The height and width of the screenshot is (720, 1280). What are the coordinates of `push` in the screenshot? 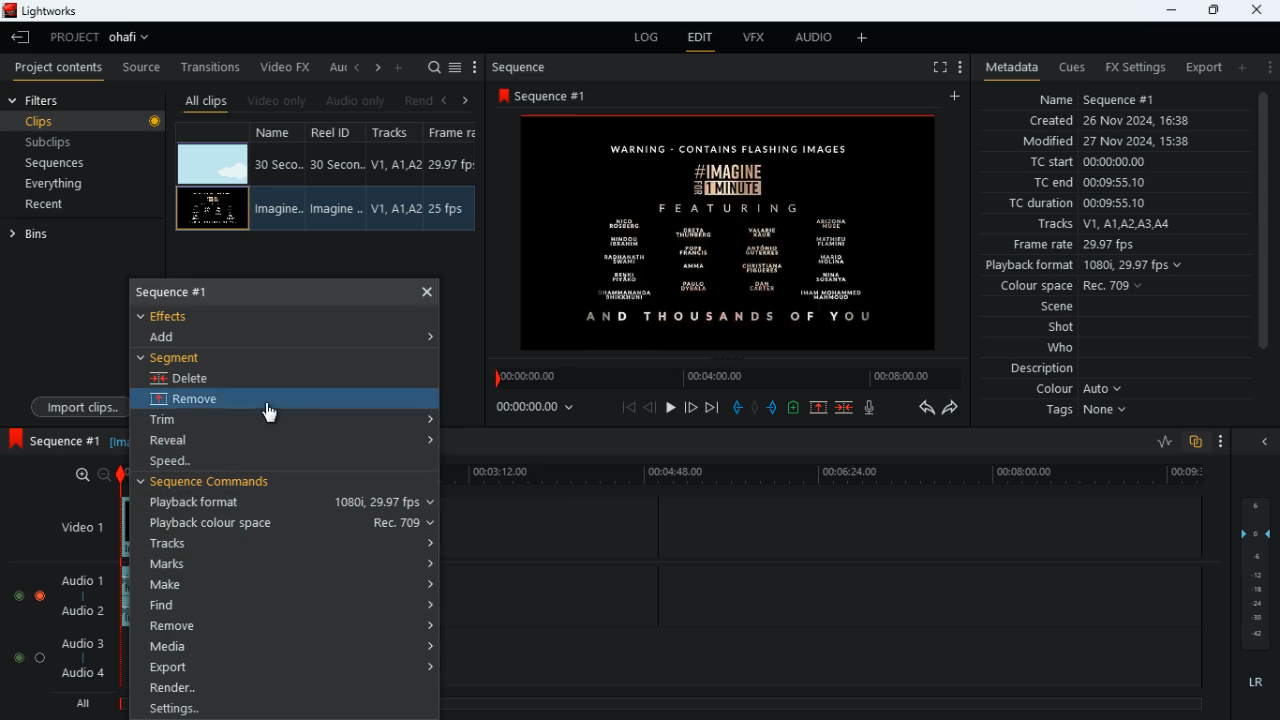 It's located at (774, 409).